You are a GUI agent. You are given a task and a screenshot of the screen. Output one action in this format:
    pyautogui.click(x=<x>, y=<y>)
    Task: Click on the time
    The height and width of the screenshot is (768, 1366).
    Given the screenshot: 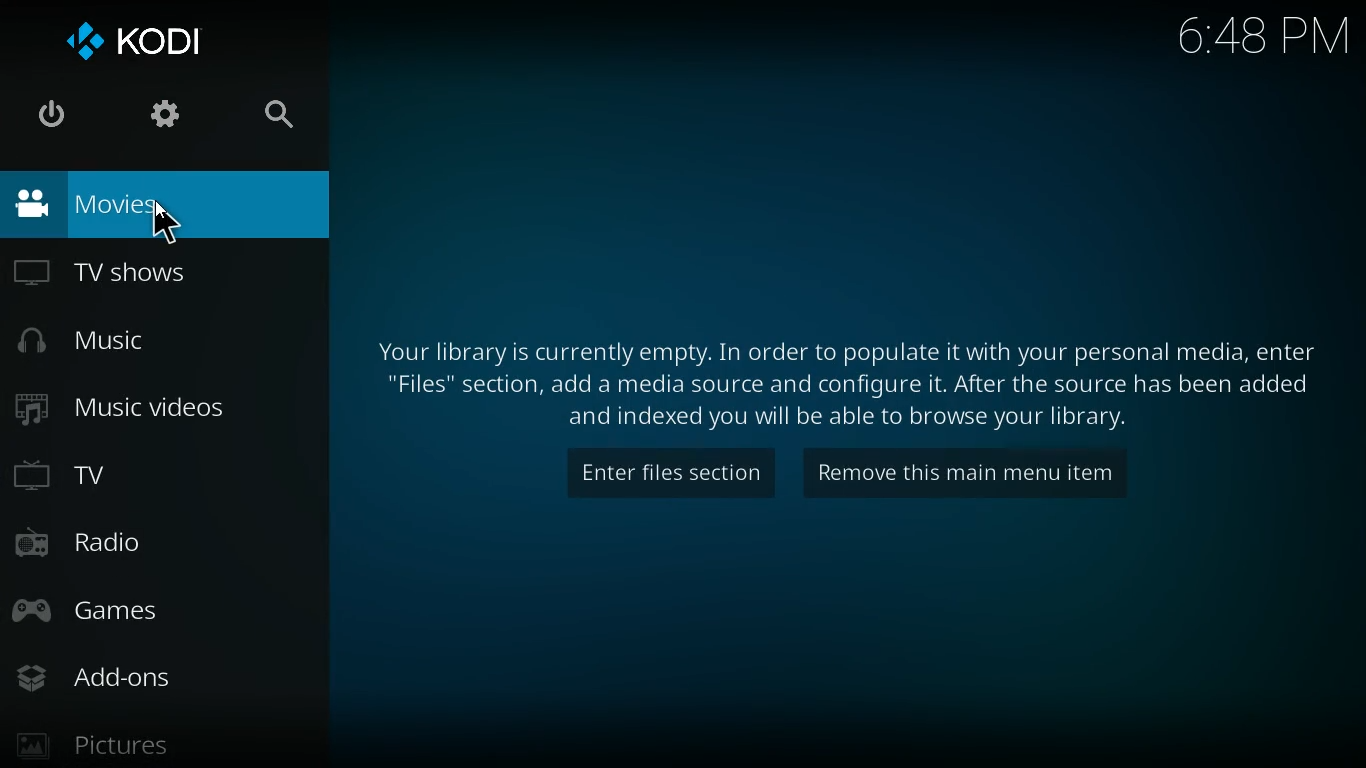 What is the action you would take?
    pyautogui.click(x=1245, y=43)
    